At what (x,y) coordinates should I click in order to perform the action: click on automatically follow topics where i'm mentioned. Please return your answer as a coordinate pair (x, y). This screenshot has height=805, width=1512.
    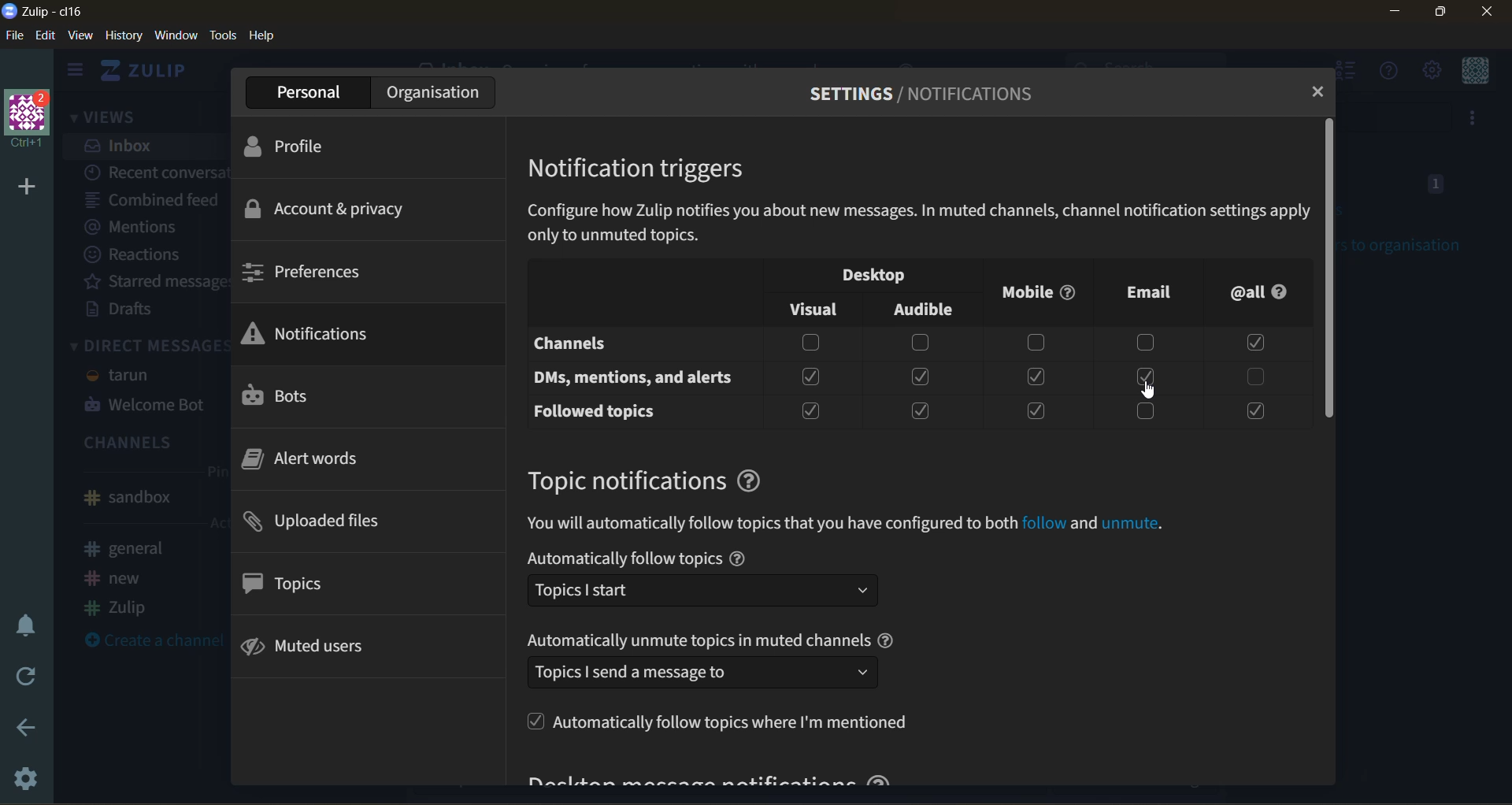
    Looking at the image, I should click on (726, 725).